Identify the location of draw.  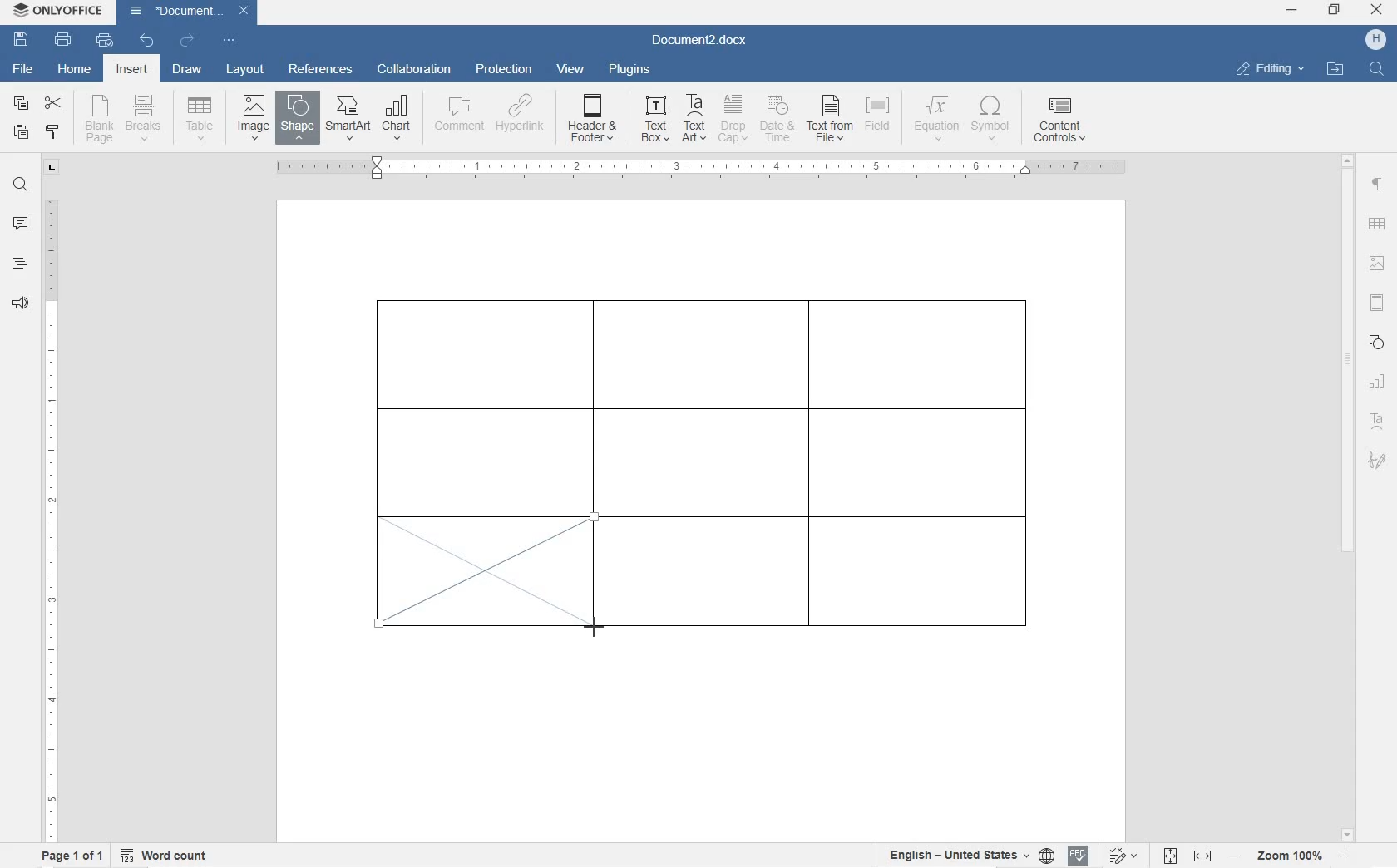
(187, 69).